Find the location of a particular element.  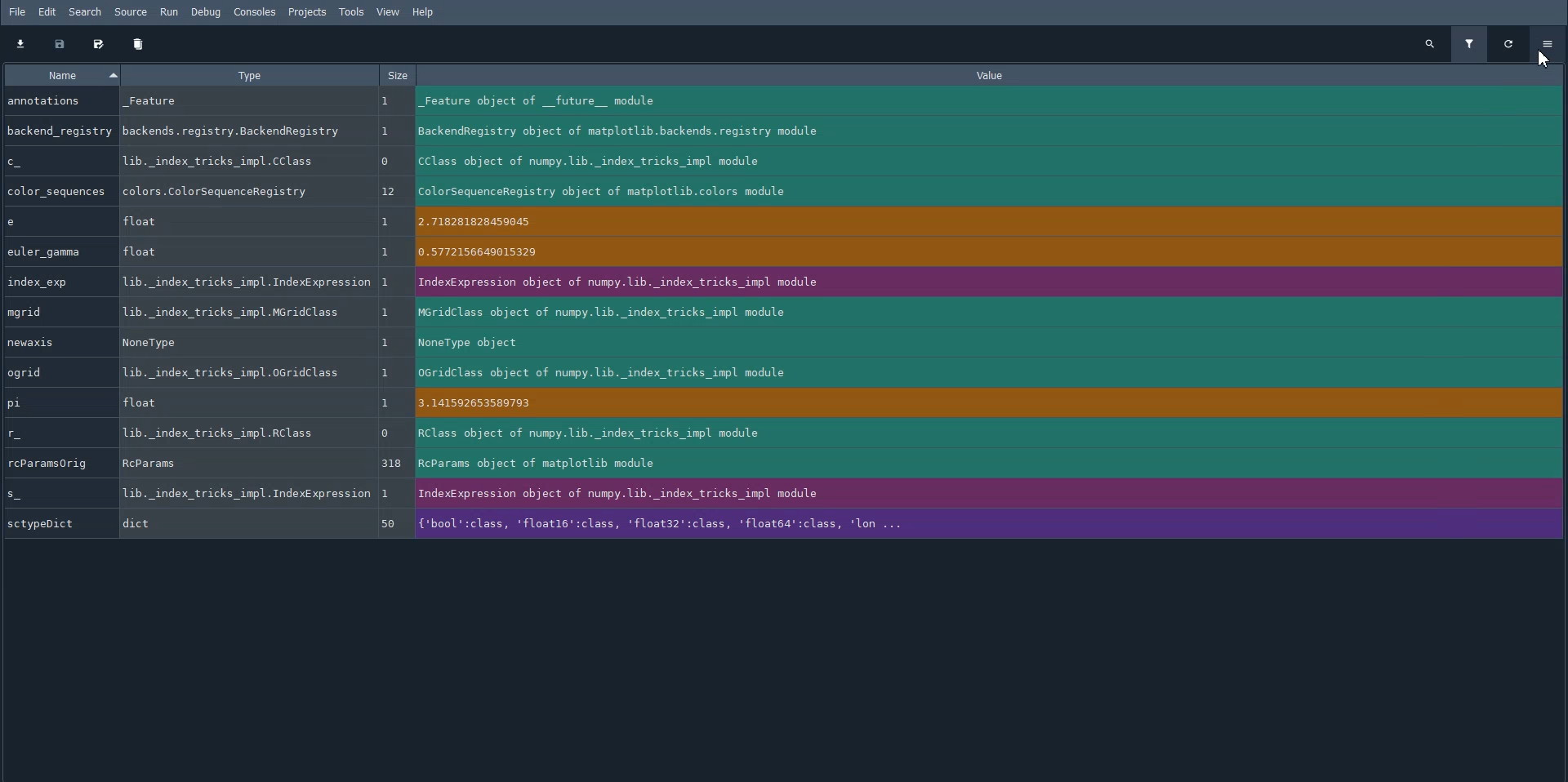

backend_registry is located at coordinates (59, 130).